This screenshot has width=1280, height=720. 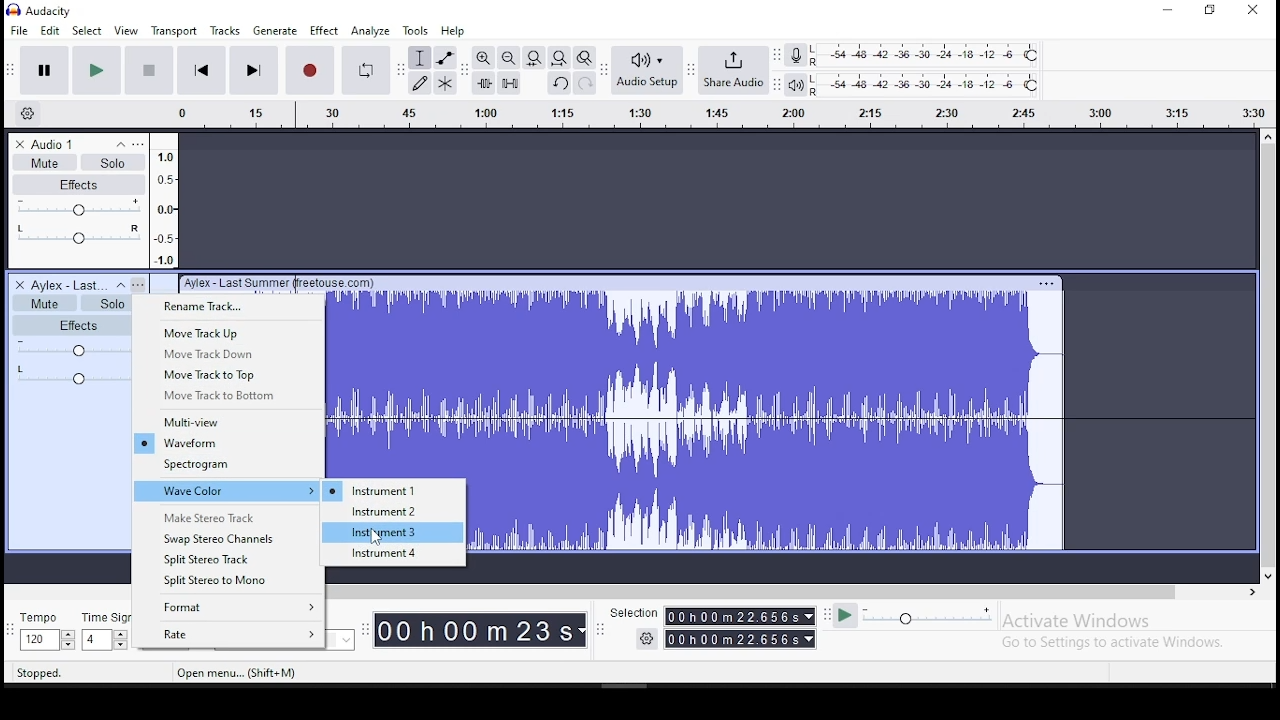 What do you see at coordinates (229, 422) in the screenshot?
I see `multi view` at bounding box center [229, 422].